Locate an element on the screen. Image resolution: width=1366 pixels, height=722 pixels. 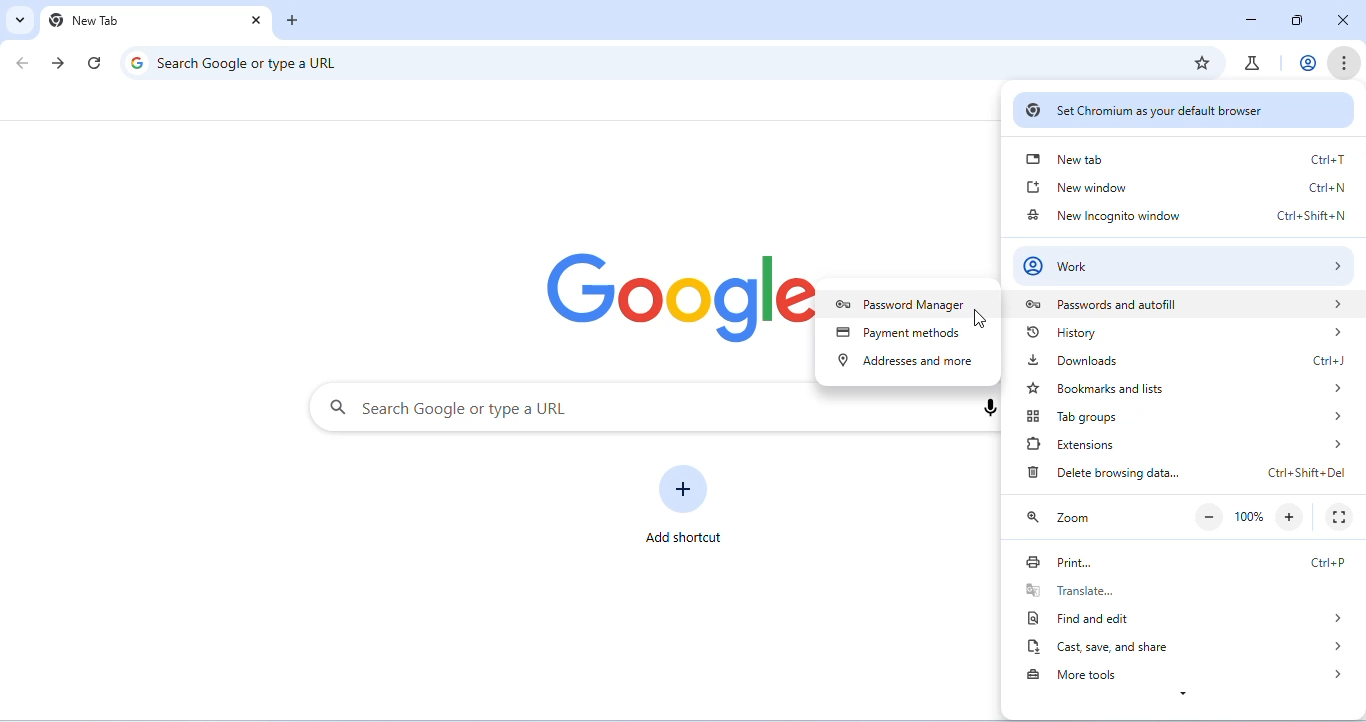
search tabs is located at coordinates (20, 21).